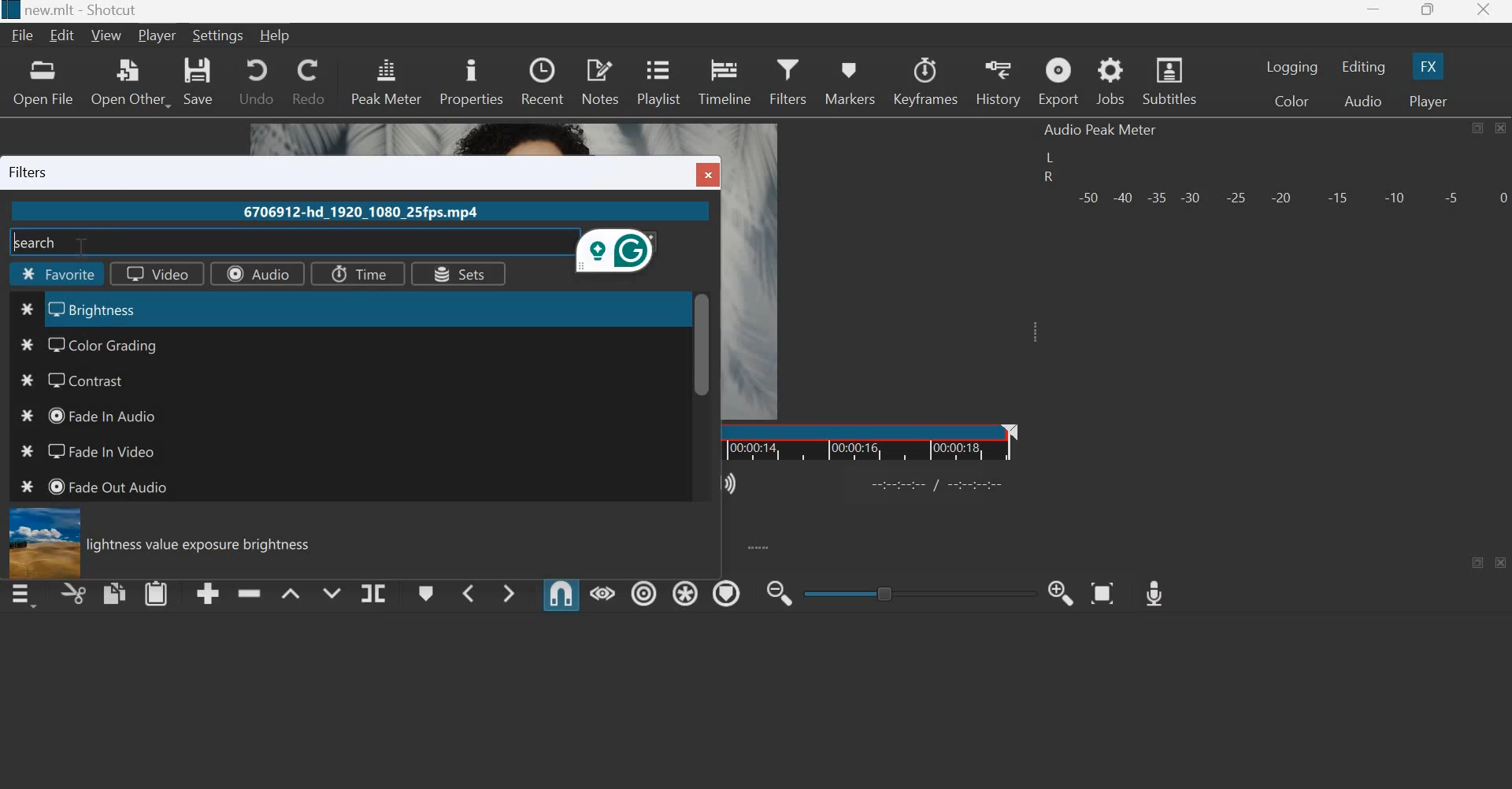  I want to click on Grammarly, so click(618, 253).